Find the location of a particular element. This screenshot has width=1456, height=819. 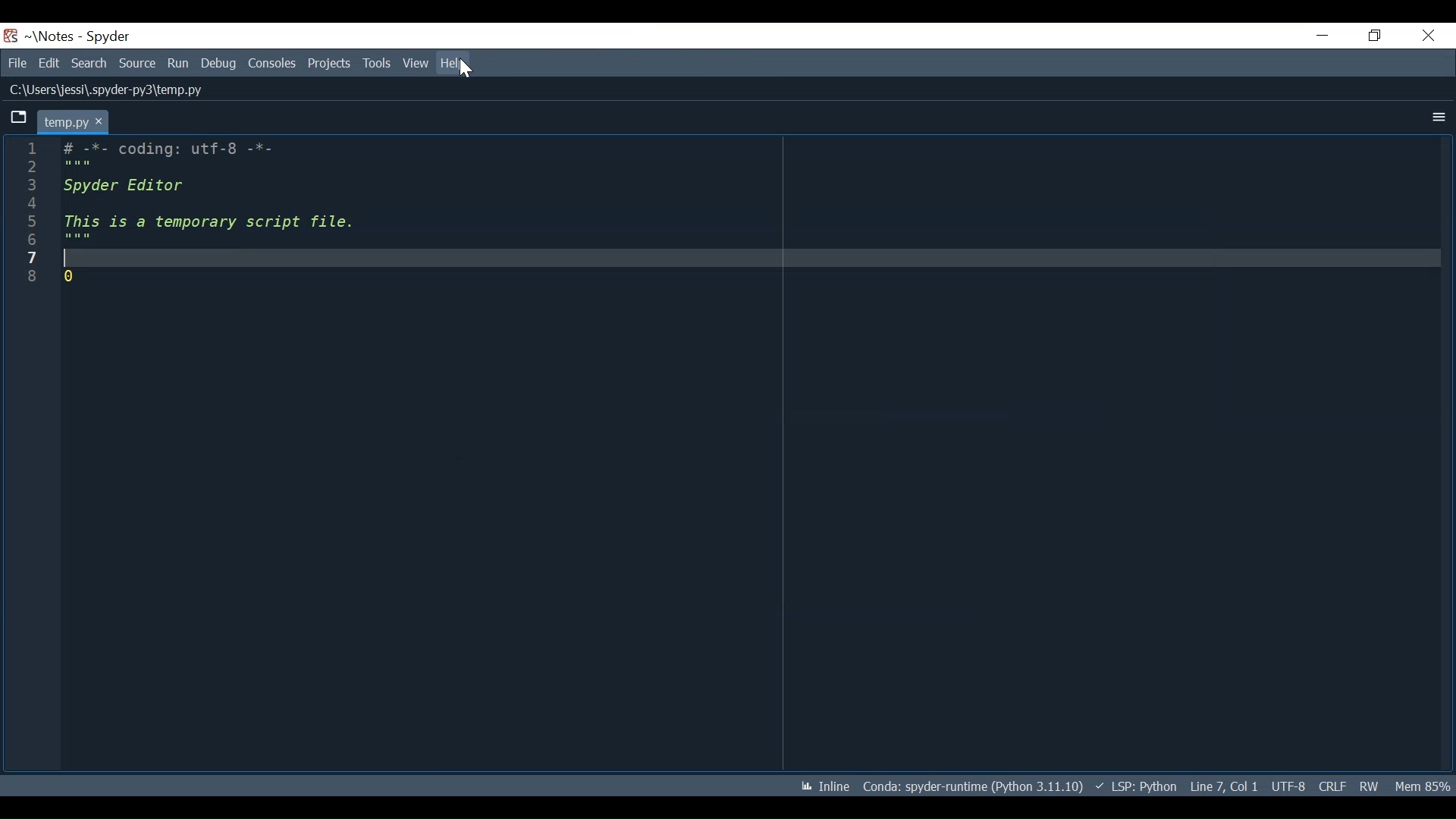

Source is located at coordinates (137, 63).